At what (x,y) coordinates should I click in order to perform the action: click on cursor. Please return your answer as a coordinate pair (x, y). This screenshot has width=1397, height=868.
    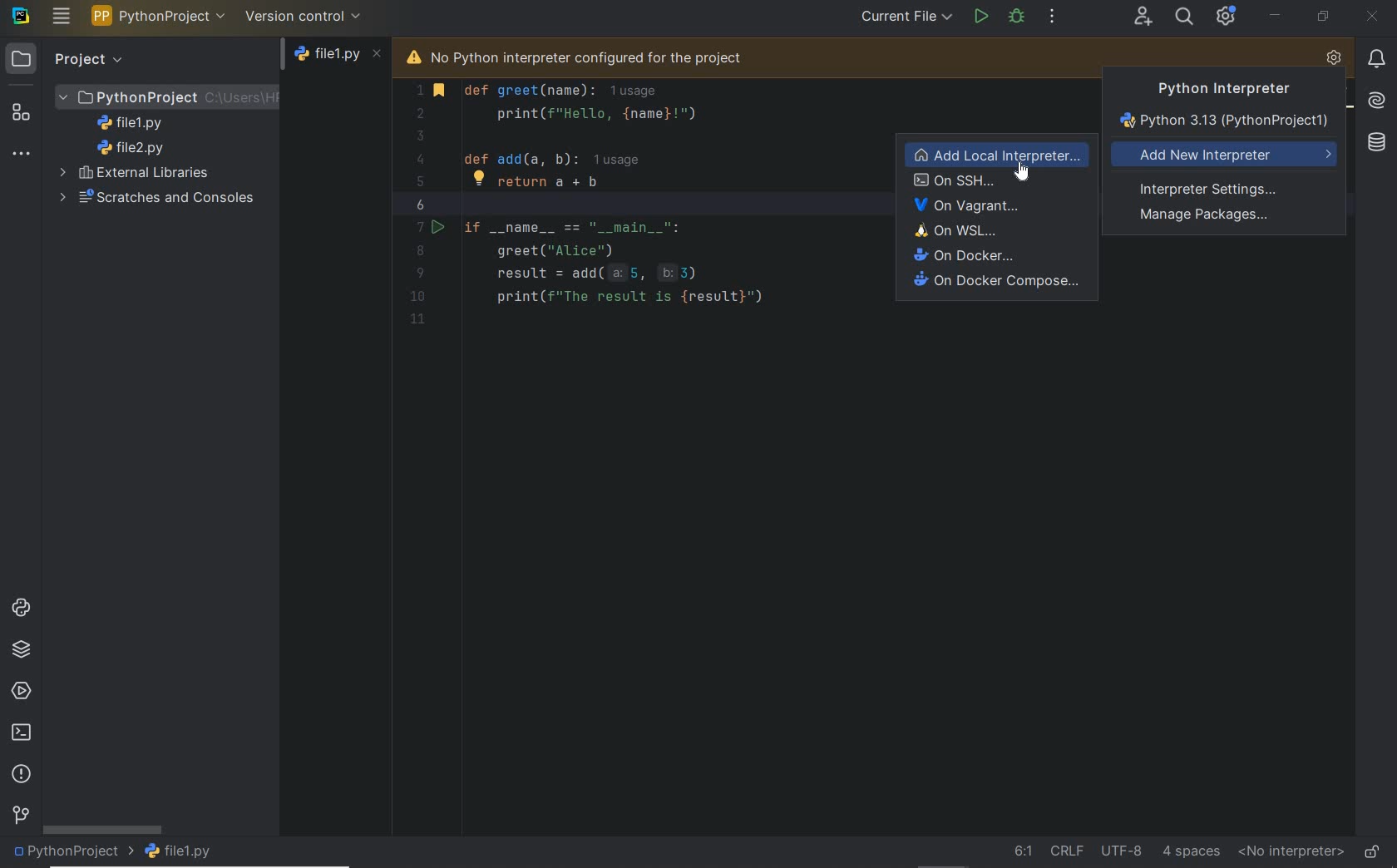
    Looking at the image, I should click on (1024, 175).